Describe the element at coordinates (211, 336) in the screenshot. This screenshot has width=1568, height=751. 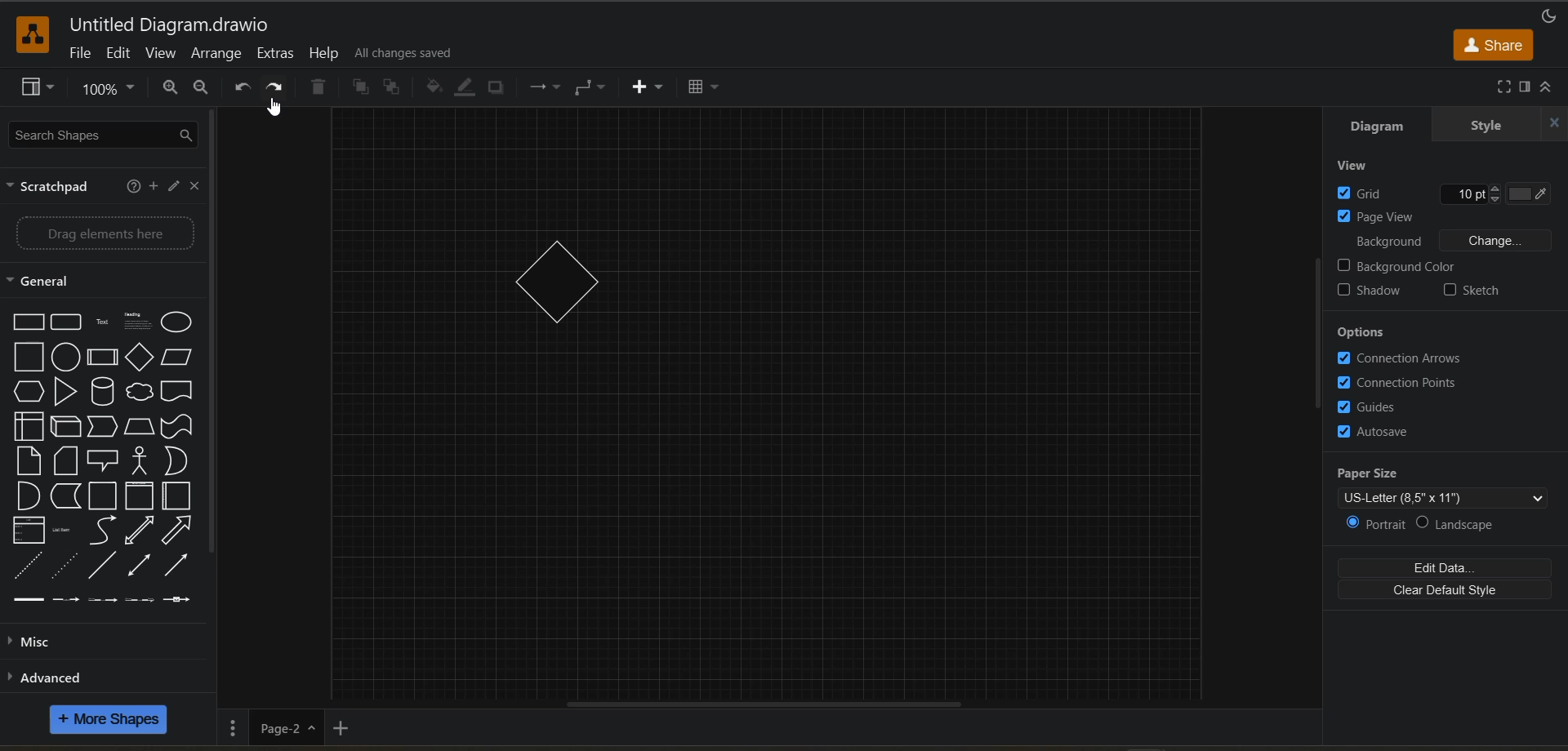
I see `vertical scroll bar` at that location.